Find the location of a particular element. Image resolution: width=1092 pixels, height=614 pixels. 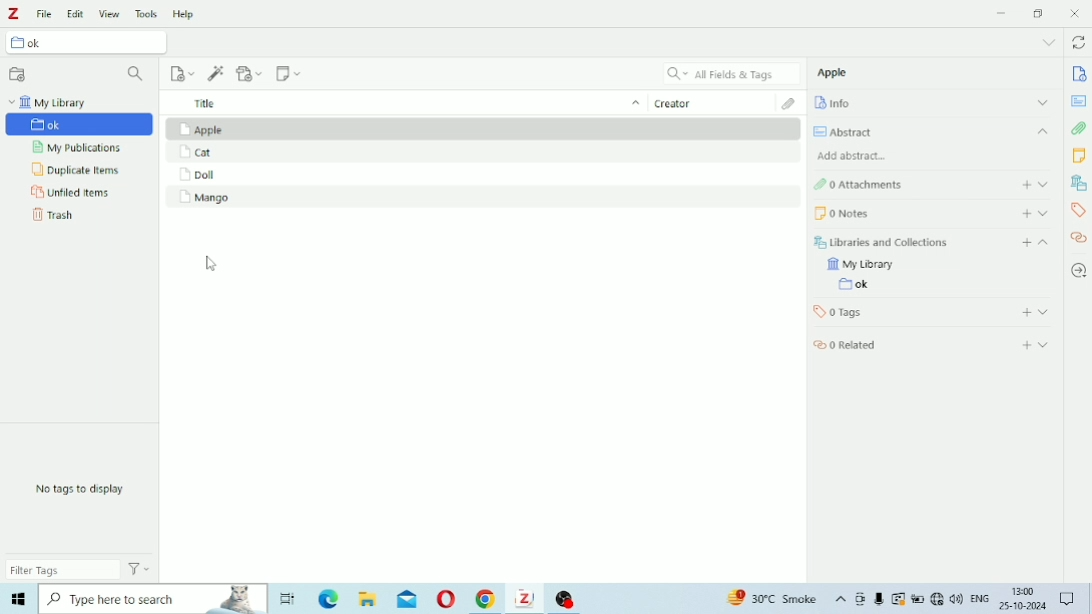

Add Item (s) by Identifier is located at coordinates (216, 72).